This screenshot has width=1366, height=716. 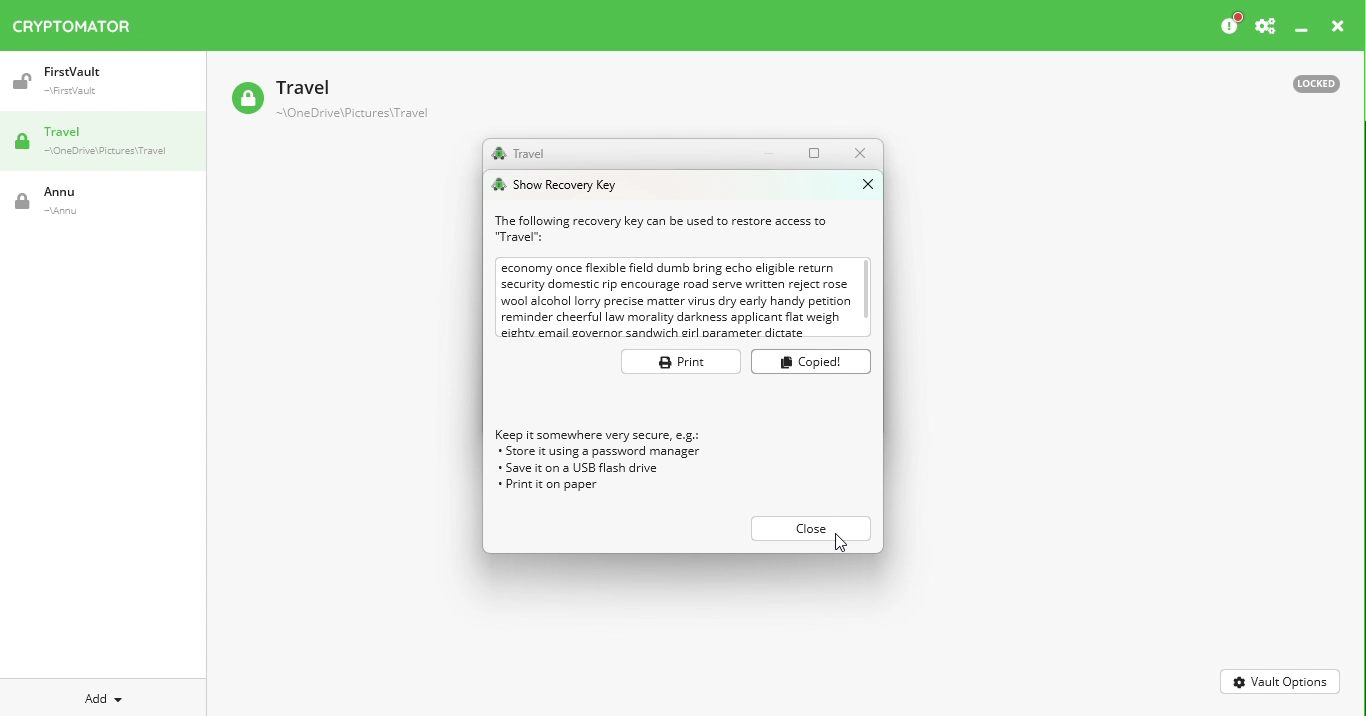 I want to click on Vault, so click(x=329, y=101).